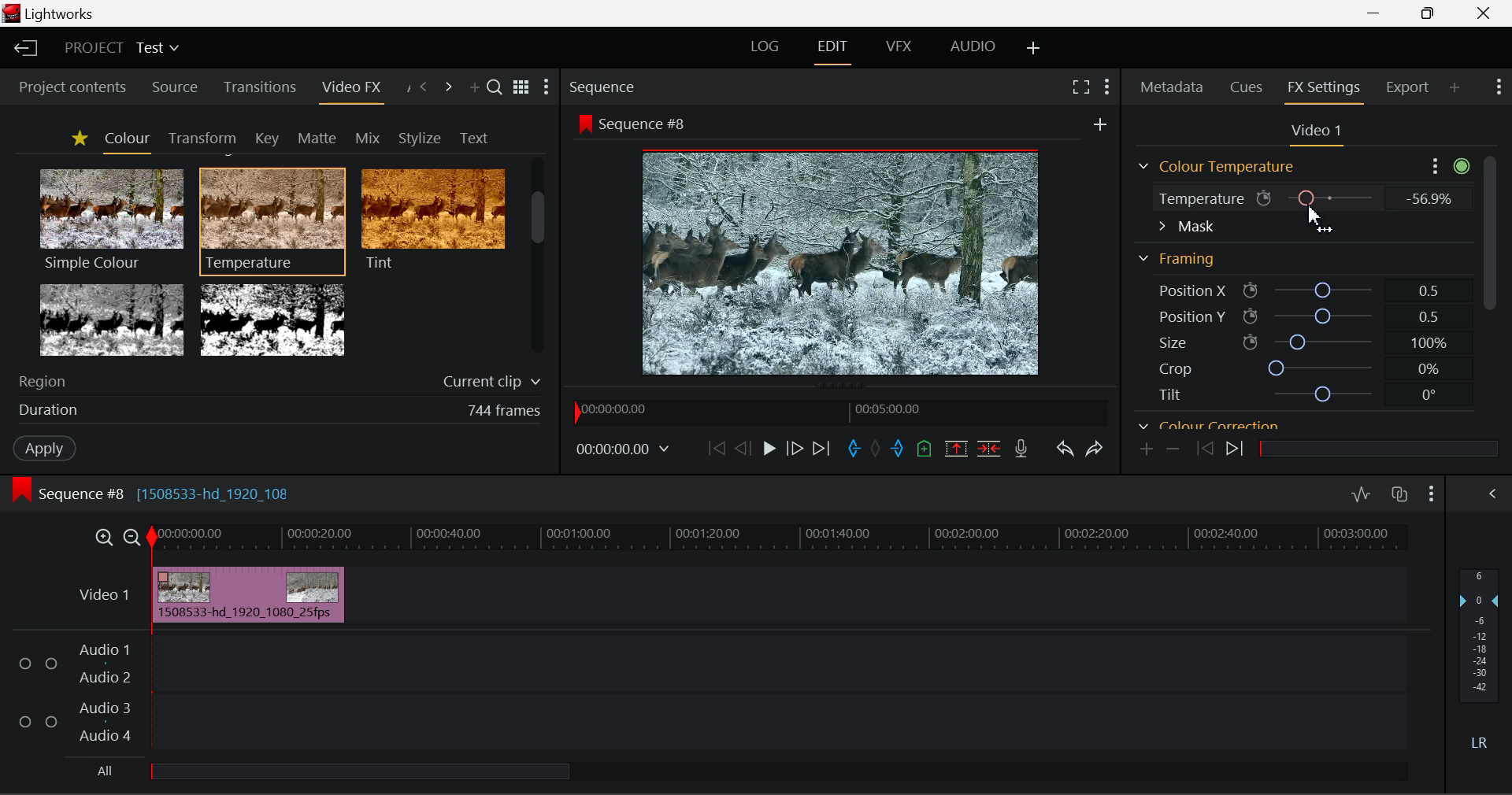  I want to click on Tilt, so click(1171, 394).